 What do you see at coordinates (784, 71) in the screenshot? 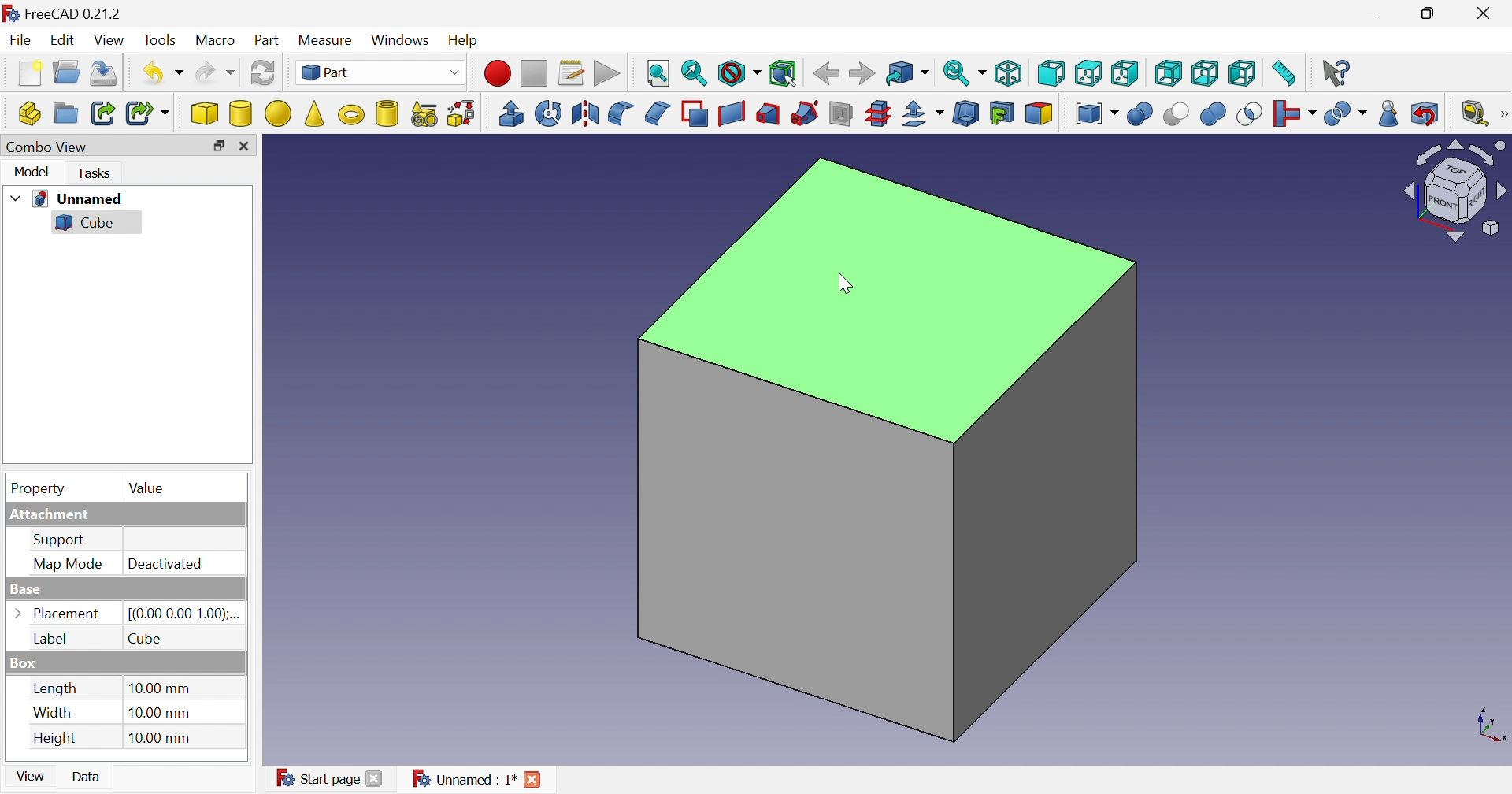
I see `Bounding box` at bounding box center [784, 71].